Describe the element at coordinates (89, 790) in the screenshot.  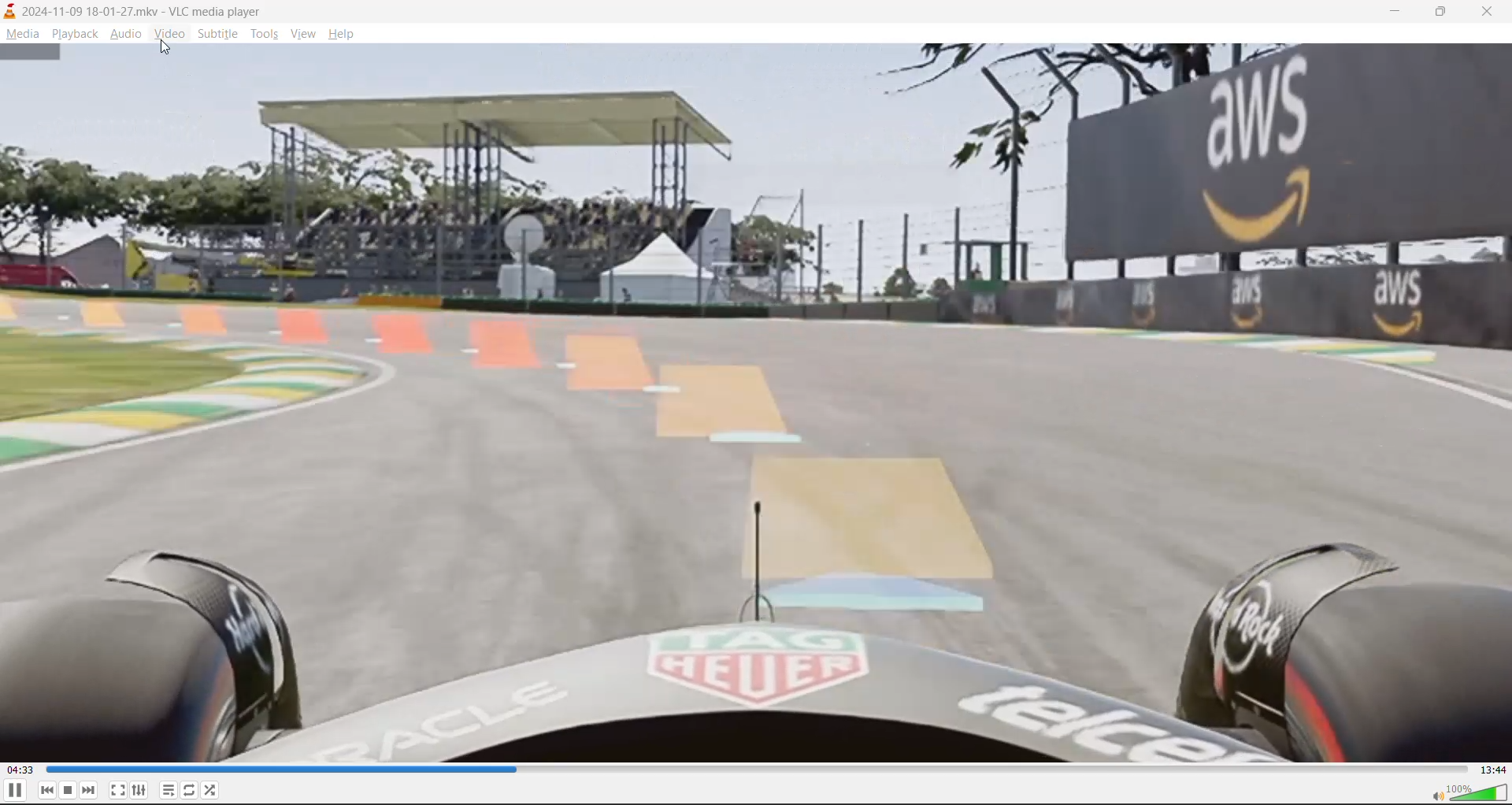
I see `next` at that location.